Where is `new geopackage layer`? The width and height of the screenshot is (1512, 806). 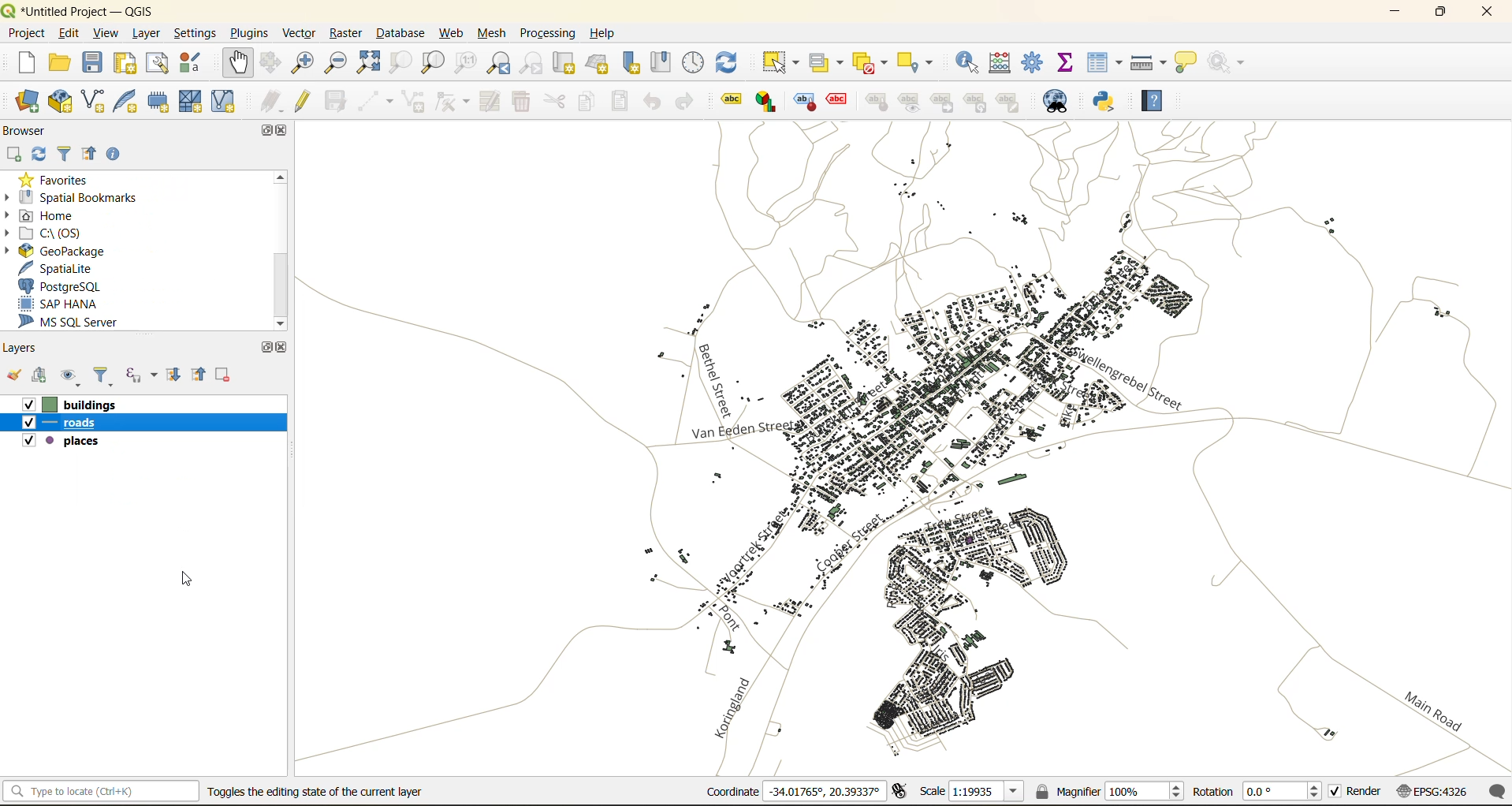 new geopackage layer is located at coordinates (62, 102).